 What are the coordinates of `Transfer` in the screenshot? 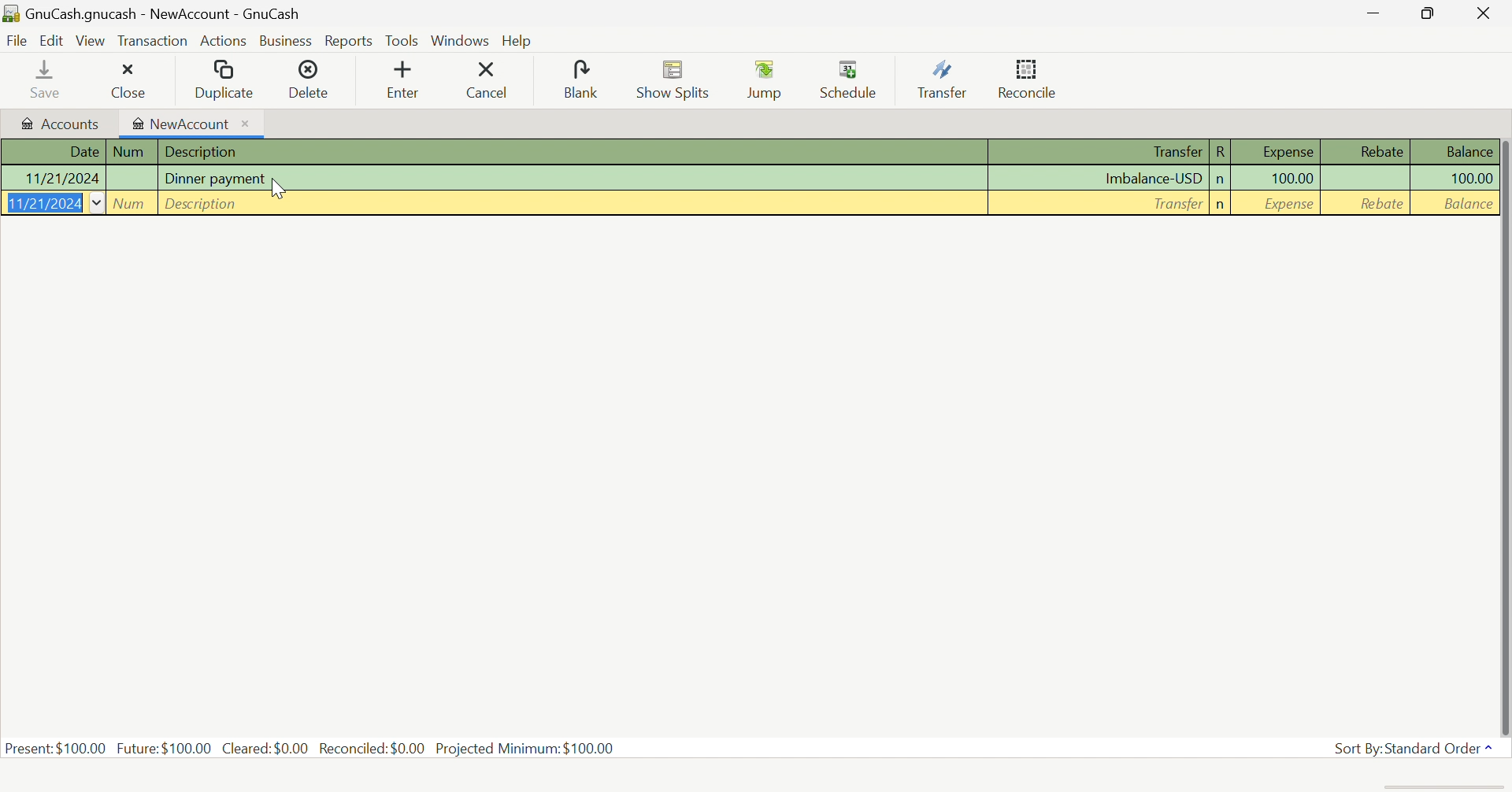 It's located at (943, 78).